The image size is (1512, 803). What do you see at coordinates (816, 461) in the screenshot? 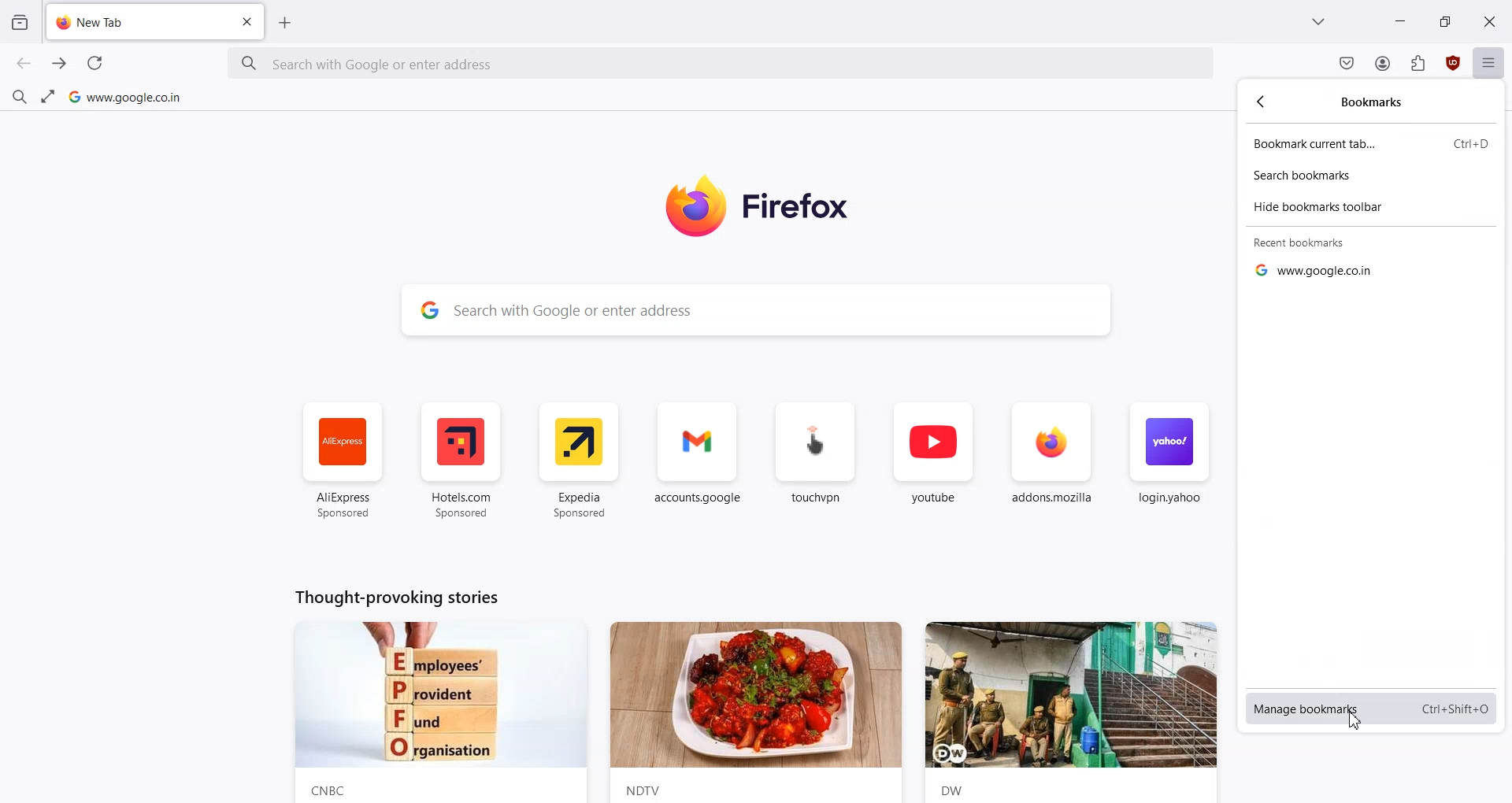
I see `touch.vpn` at bounding box center [816, 461].